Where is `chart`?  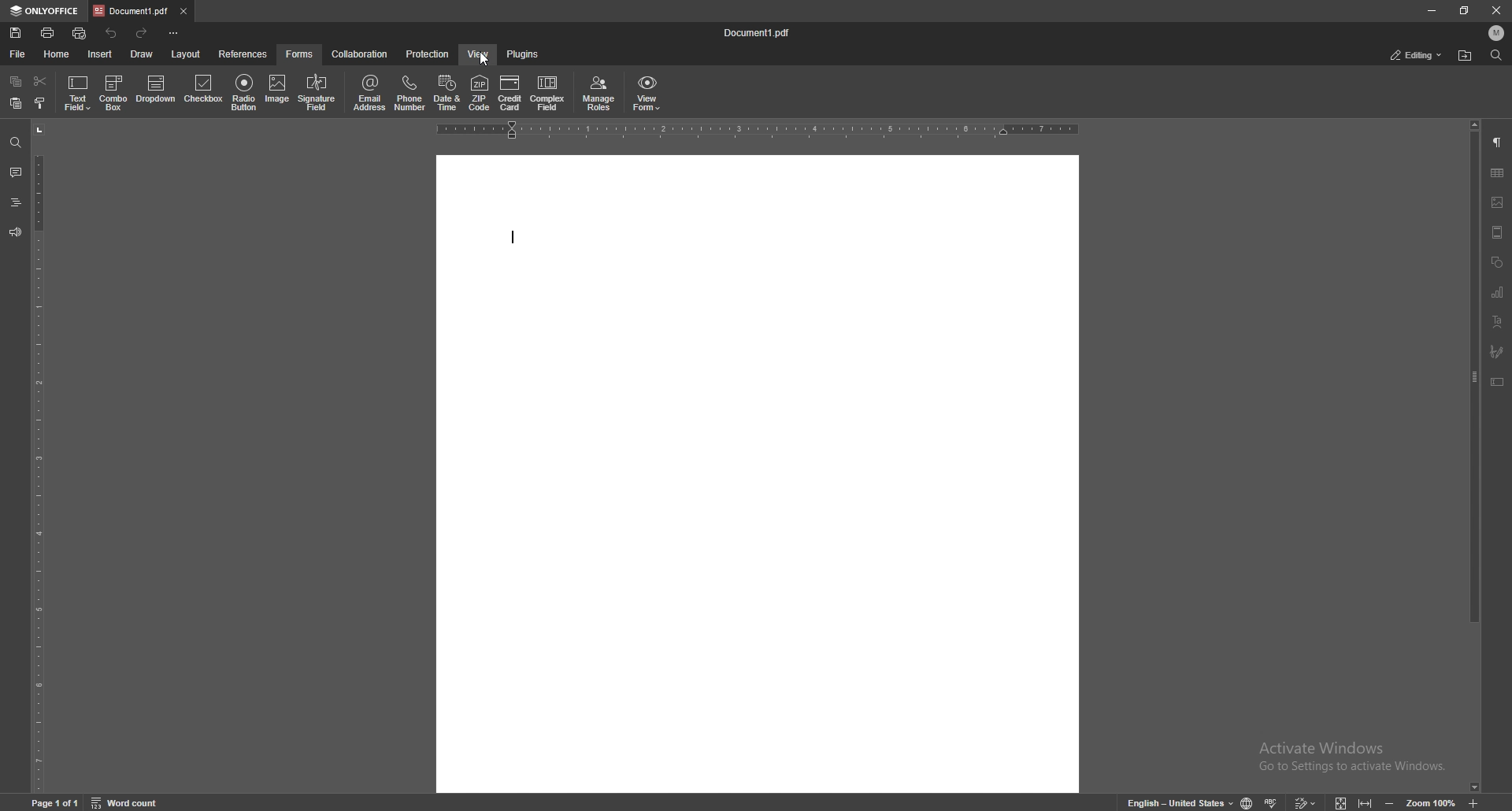 chart is located at coordinates (1499, 294).